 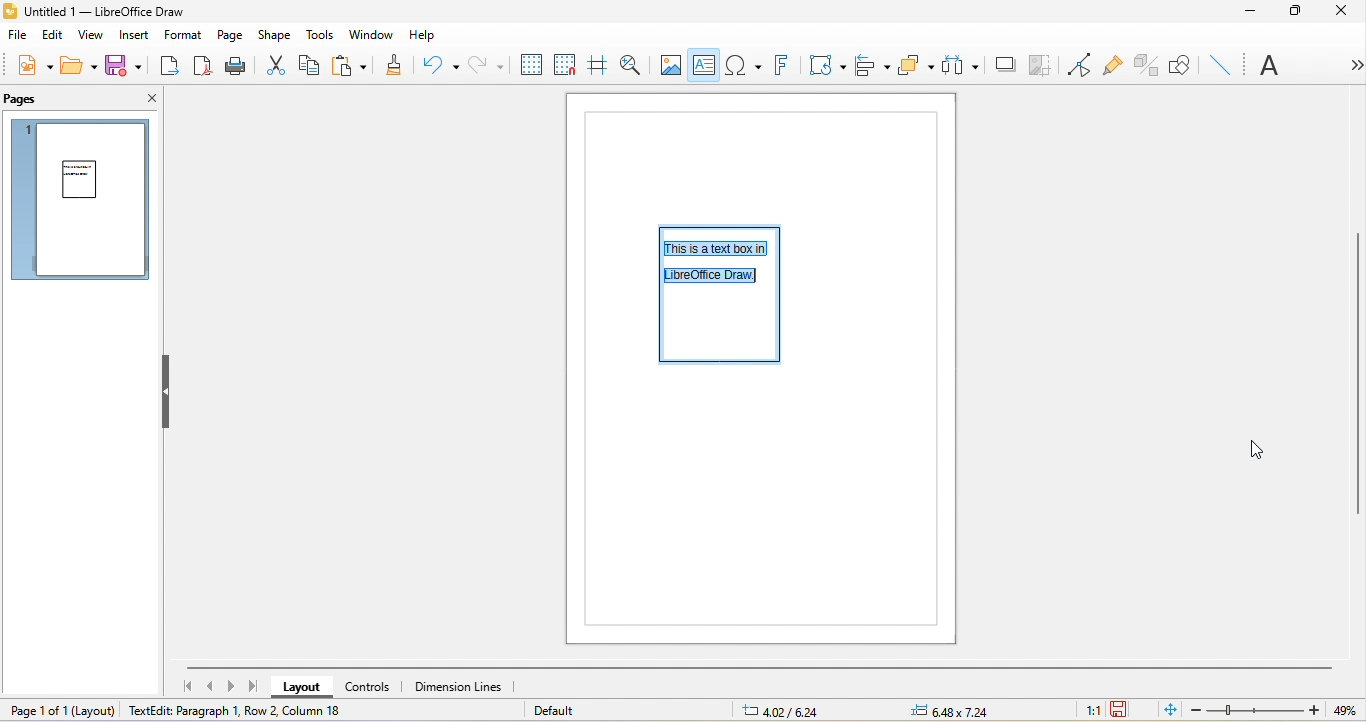 I want to click on arrange, so click(x=915, y=65).